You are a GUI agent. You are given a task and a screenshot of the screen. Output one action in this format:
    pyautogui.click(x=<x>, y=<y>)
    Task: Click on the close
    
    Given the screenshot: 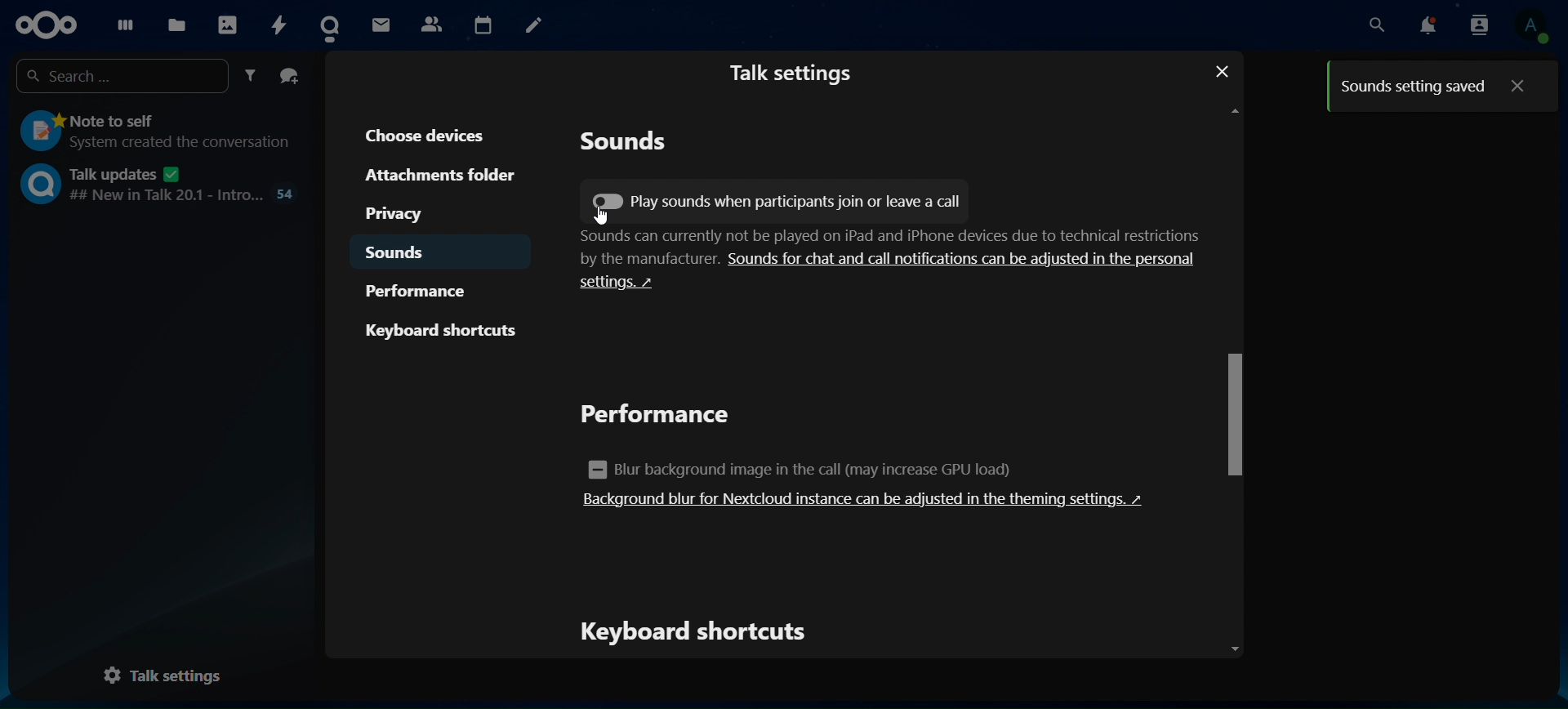 What is the action you would take?
    pyautogui.click(x=1227, y=70)
    